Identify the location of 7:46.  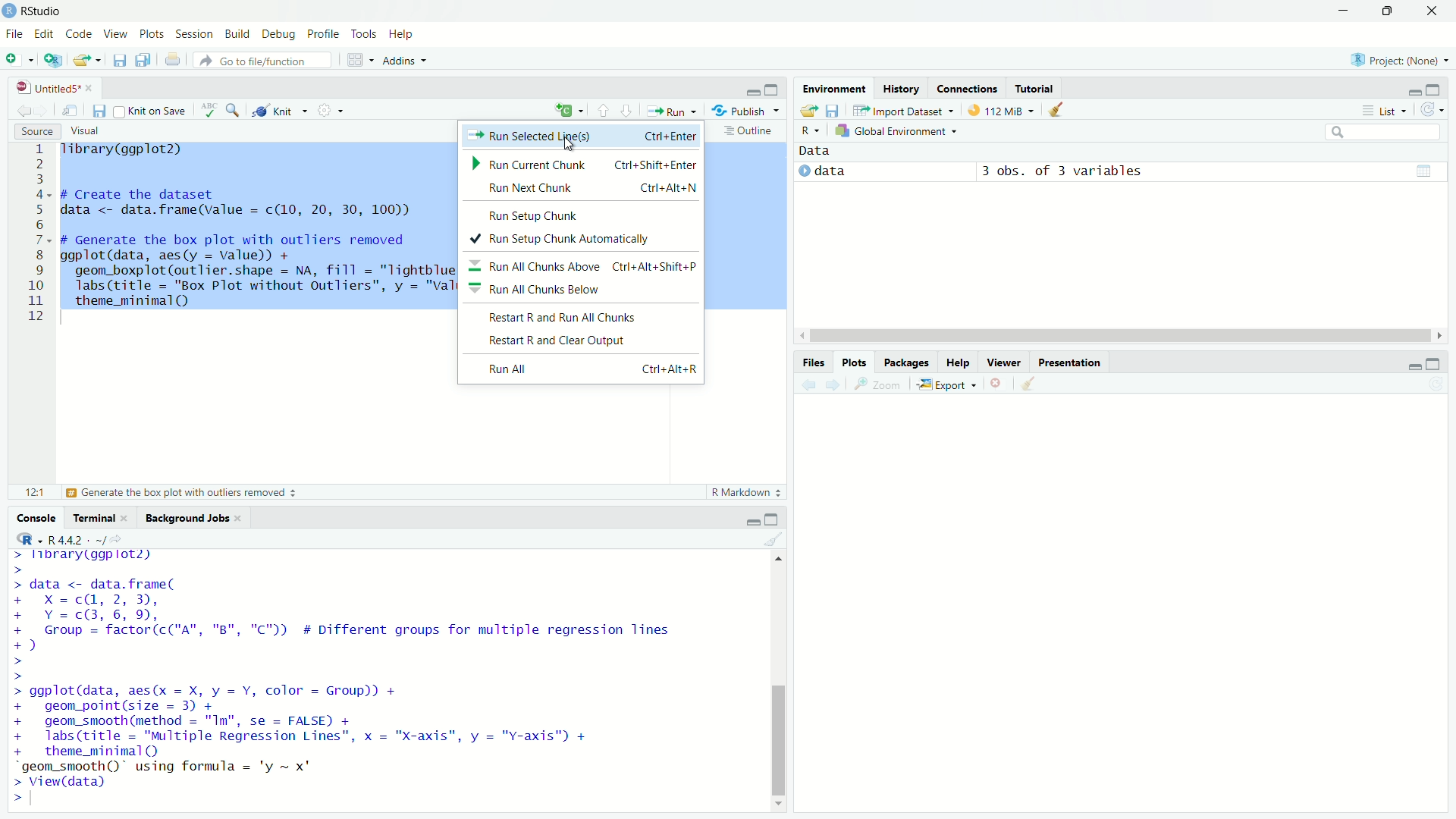
(31, 491).